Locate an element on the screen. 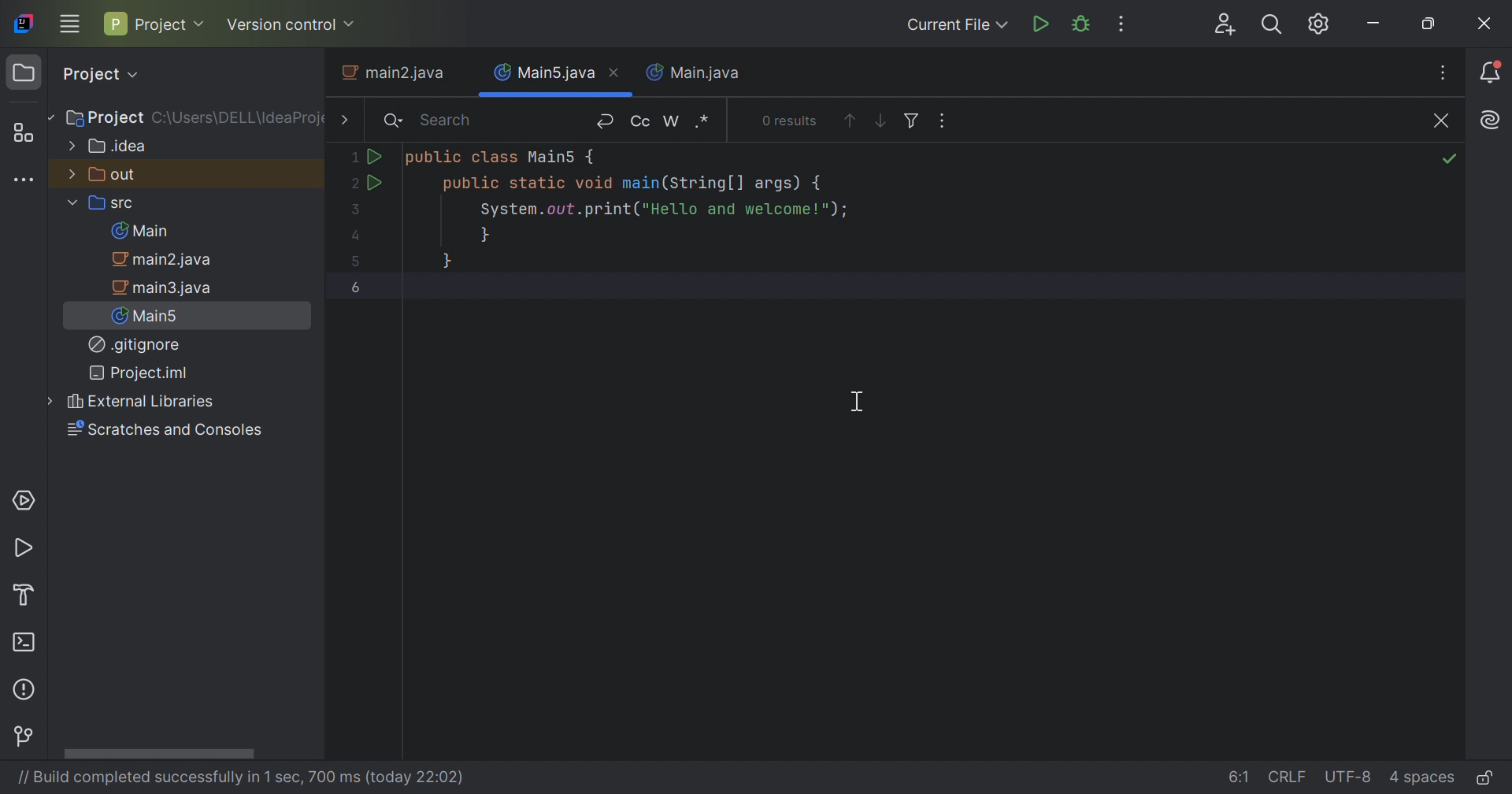 The height and width of the screenshot is (794, 1512). Search icon is located at coordinates (395, 123).